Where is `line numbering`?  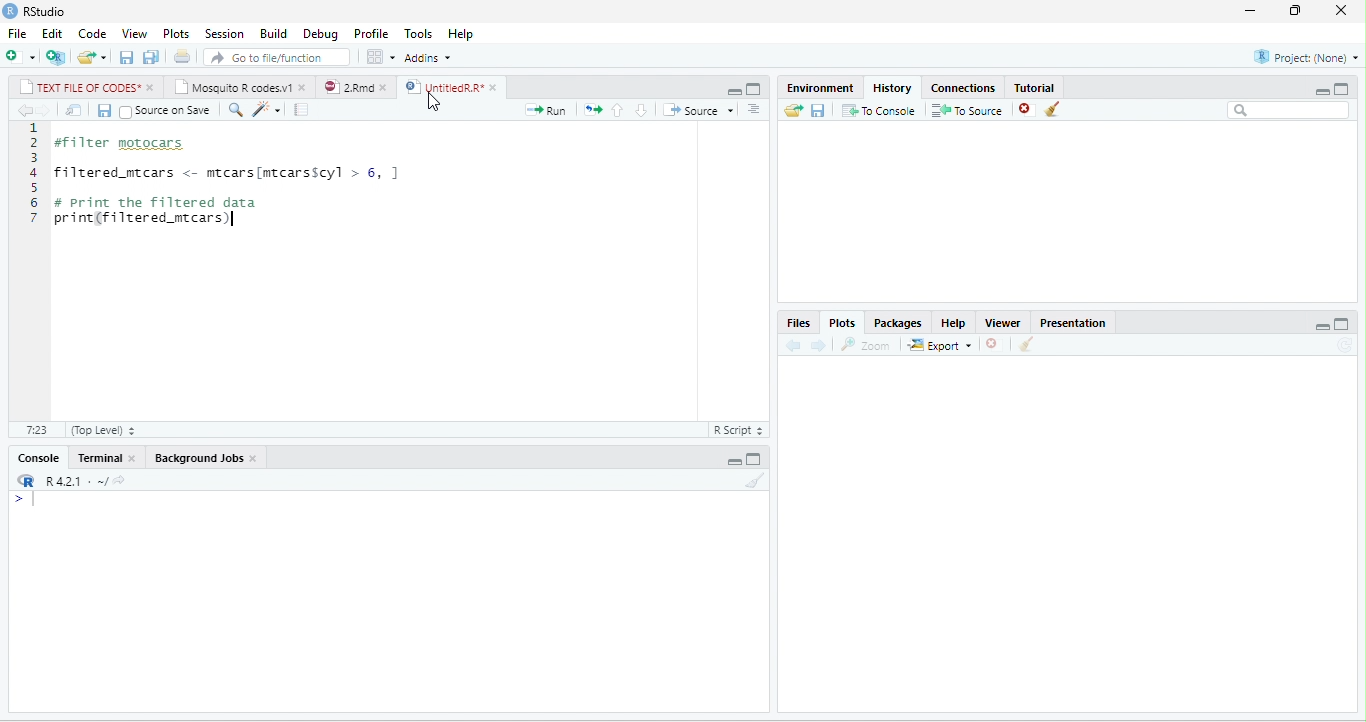 line numbering is located at coordinates (34, 173).